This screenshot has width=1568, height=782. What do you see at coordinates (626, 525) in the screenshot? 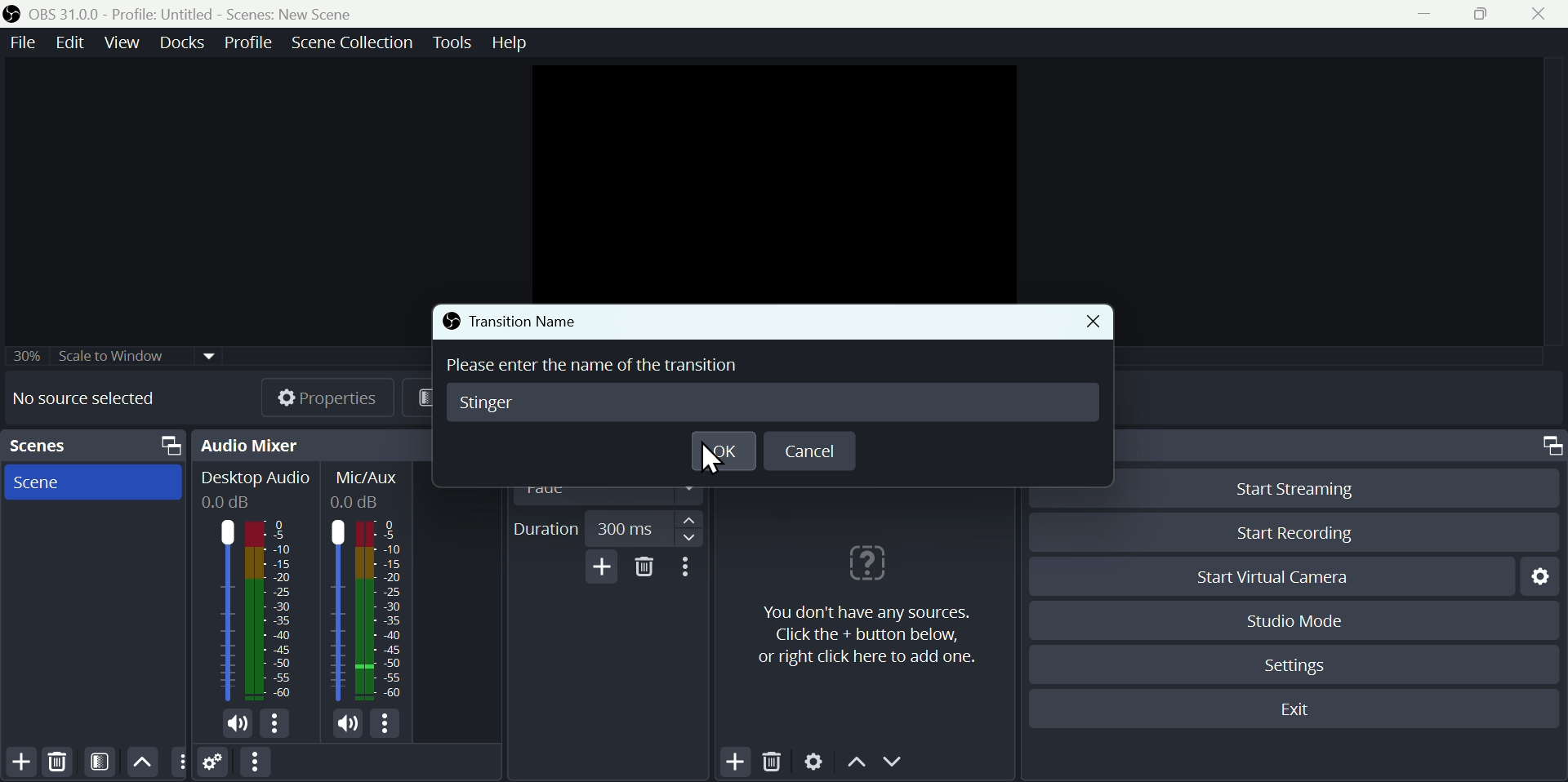
I see `30MS` at bounding box center [626, 525].